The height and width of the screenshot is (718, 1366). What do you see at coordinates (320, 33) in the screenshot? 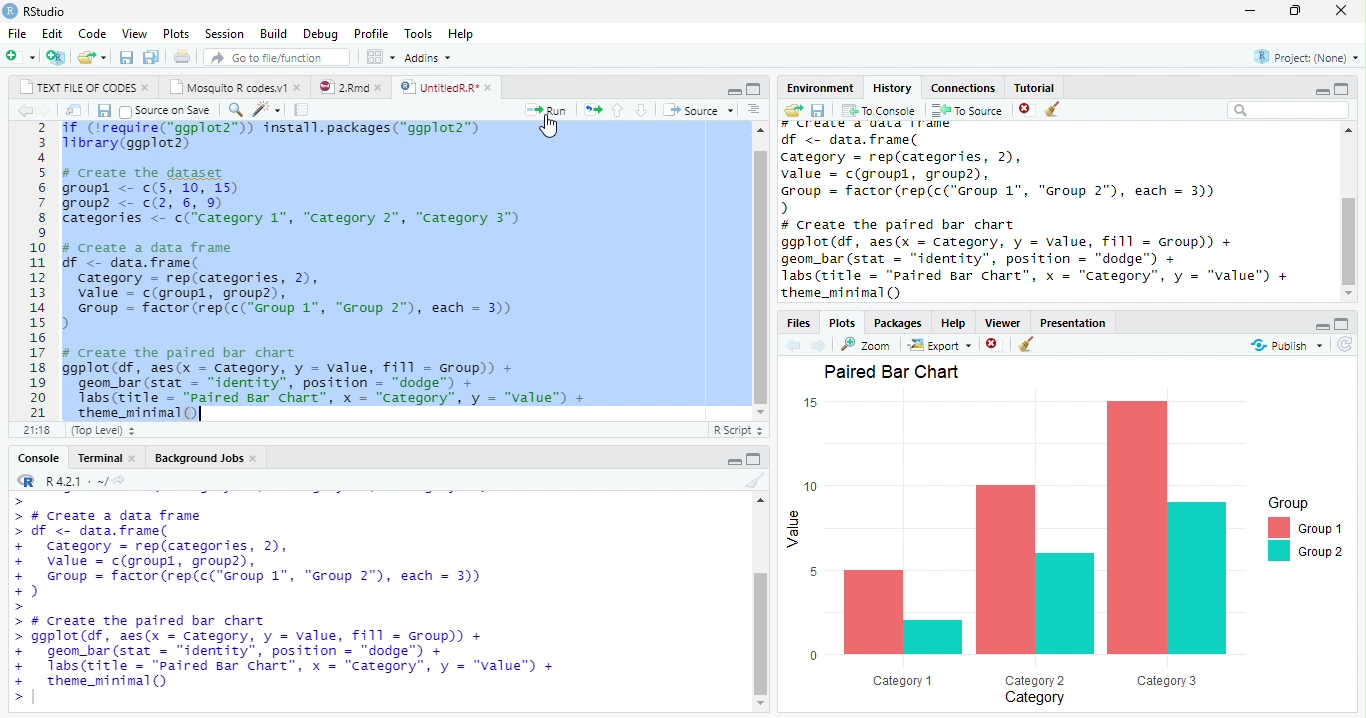
I see `debug` at bounding box center [320, 33].